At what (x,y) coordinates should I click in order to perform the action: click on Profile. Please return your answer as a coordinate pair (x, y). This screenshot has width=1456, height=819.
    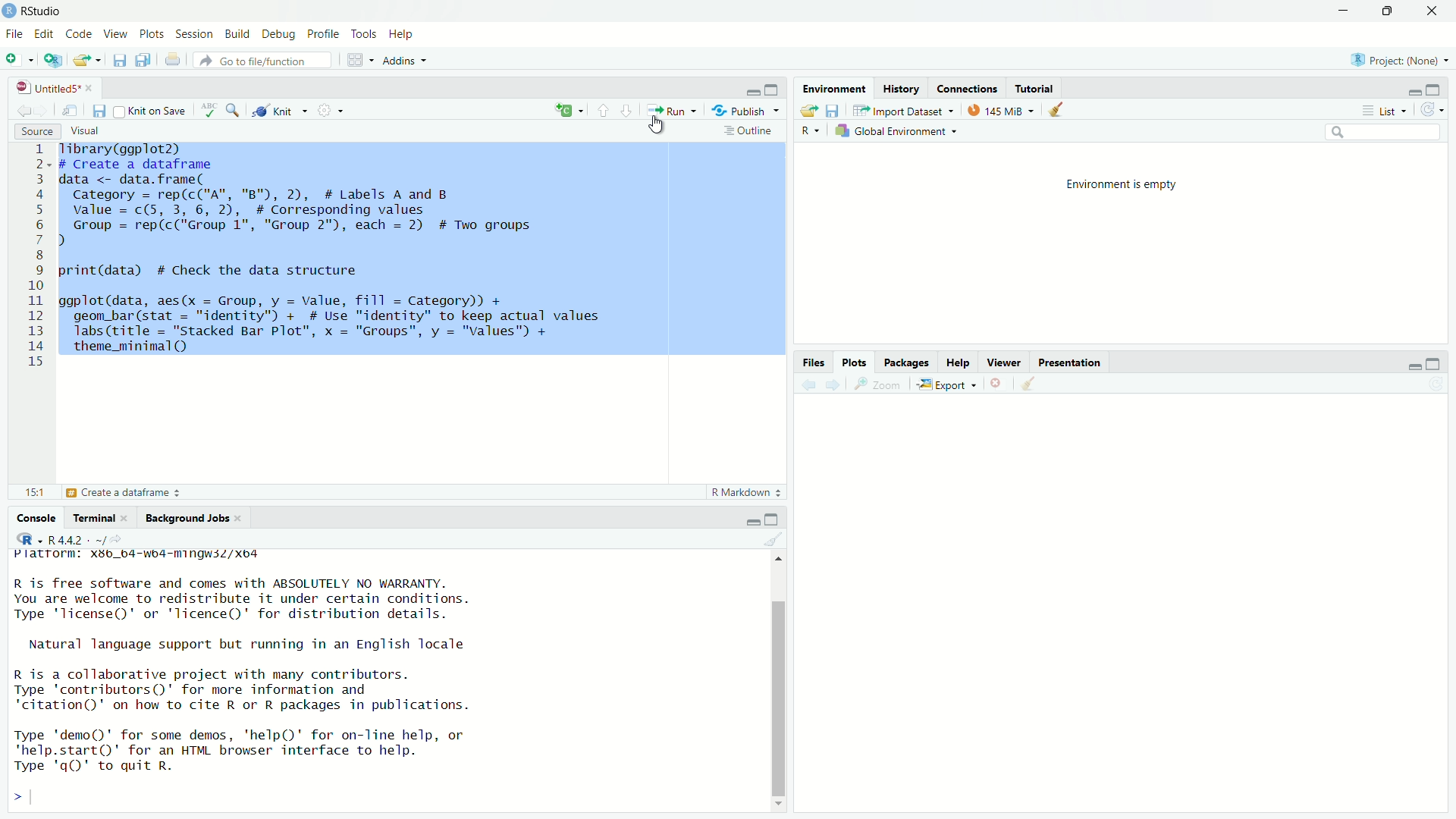
    Looking at the image, I should click on (324, 33).